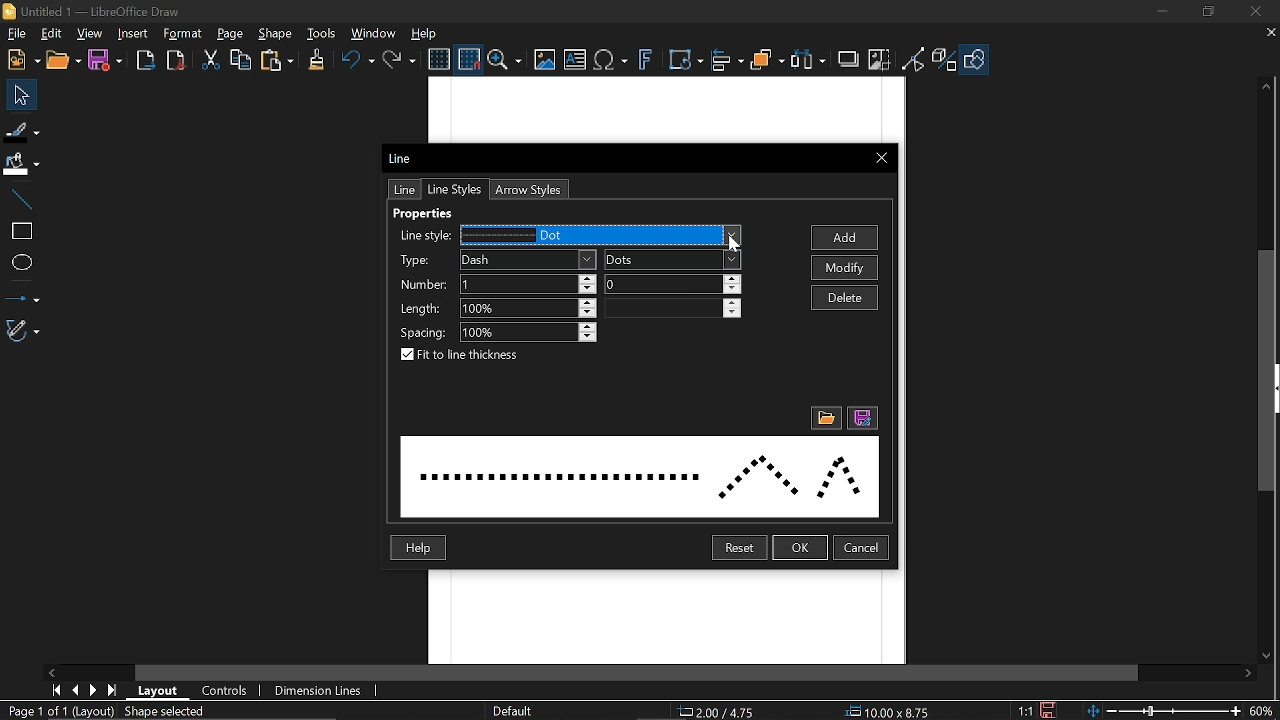 This screenshot has height=720, width=1280. What do you see at coordinates (543, 61) in the screenshot?
I see `Insert image` at bounding box center [543, 61].